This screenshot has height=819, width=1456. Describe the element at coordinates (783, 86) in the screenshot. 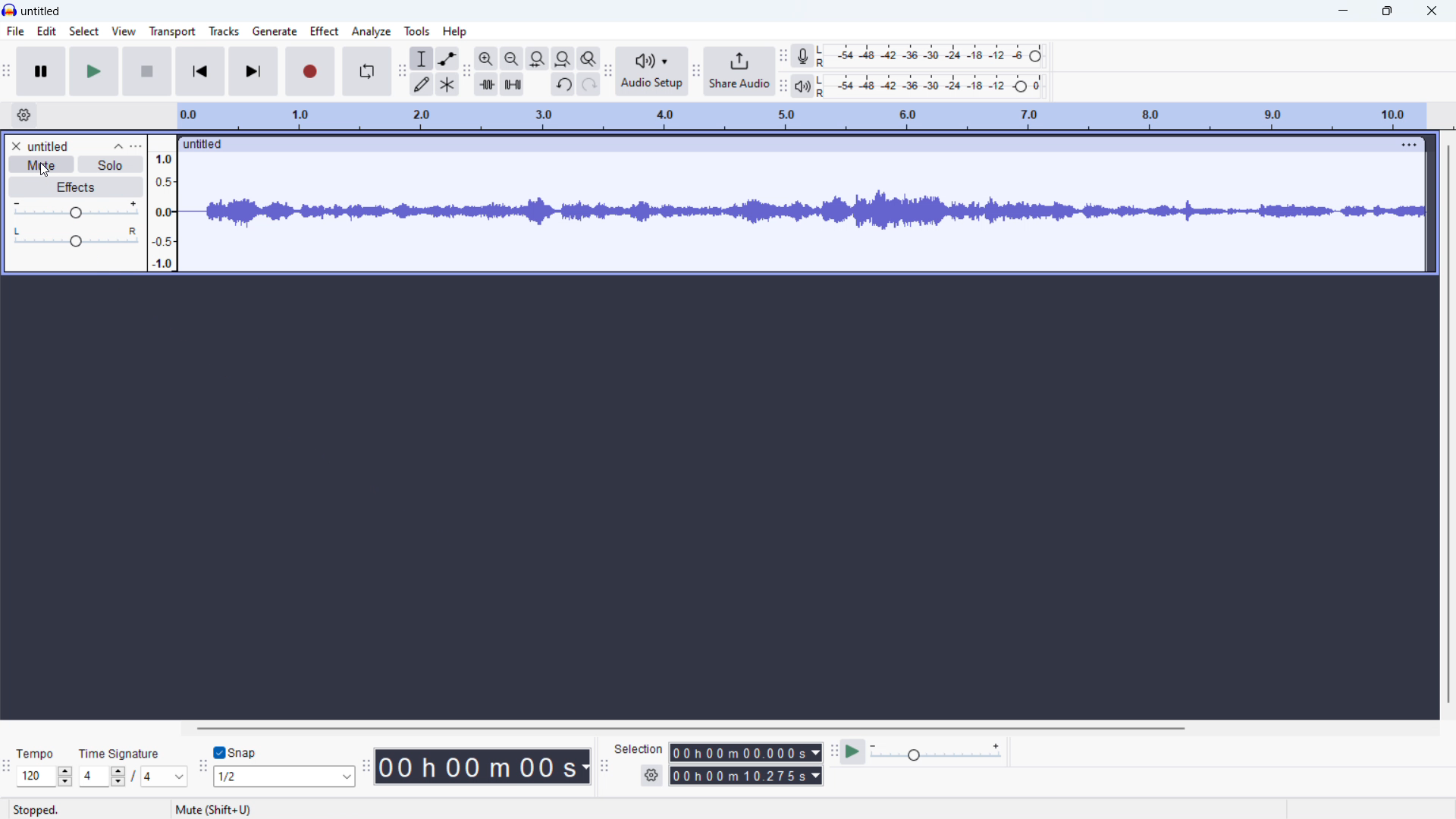

I see `playback meter toolbar` at that location.